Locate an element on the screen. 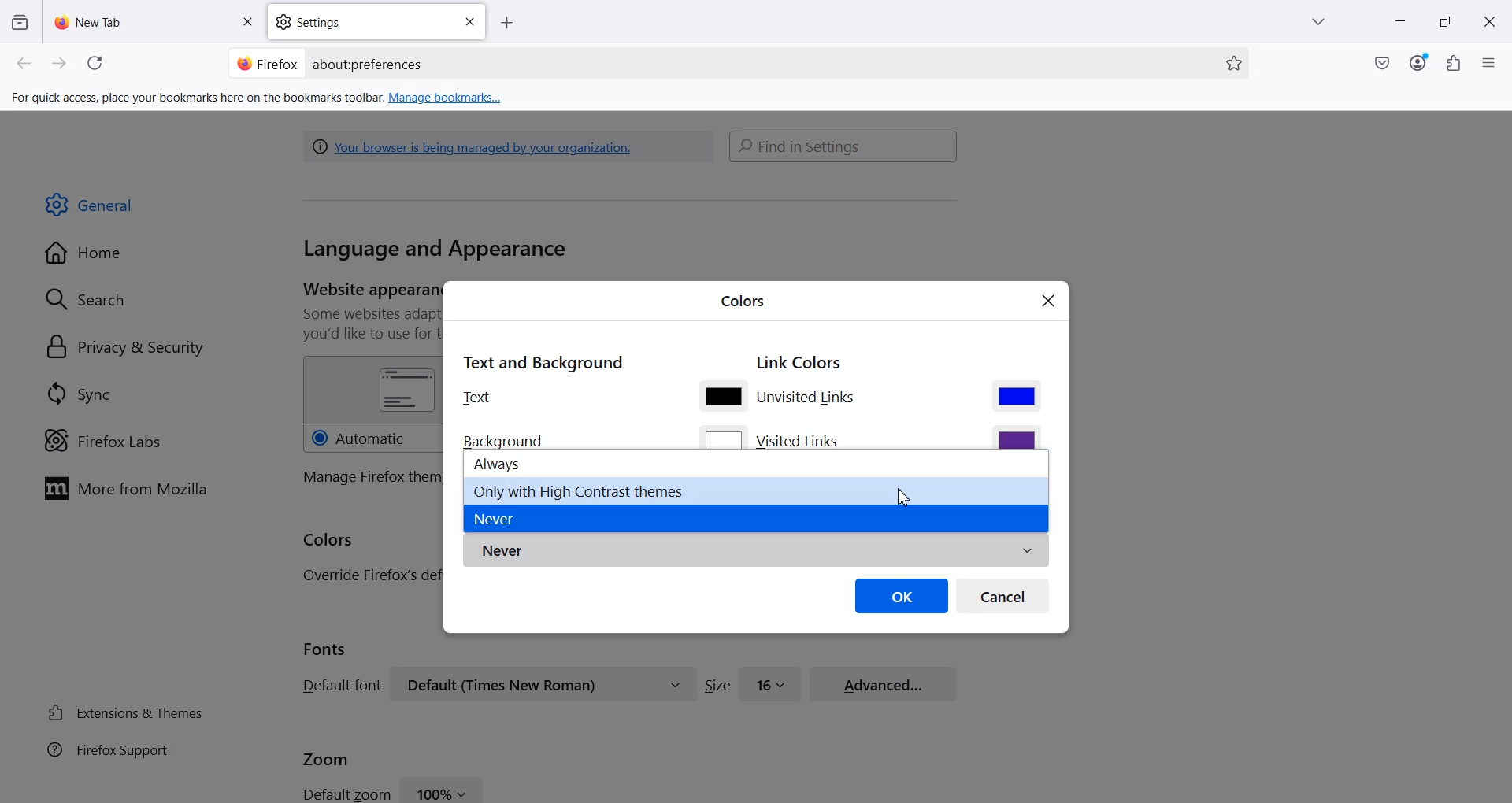 The image size is (1512, 803). Colors is located at coordinates (329, 541).